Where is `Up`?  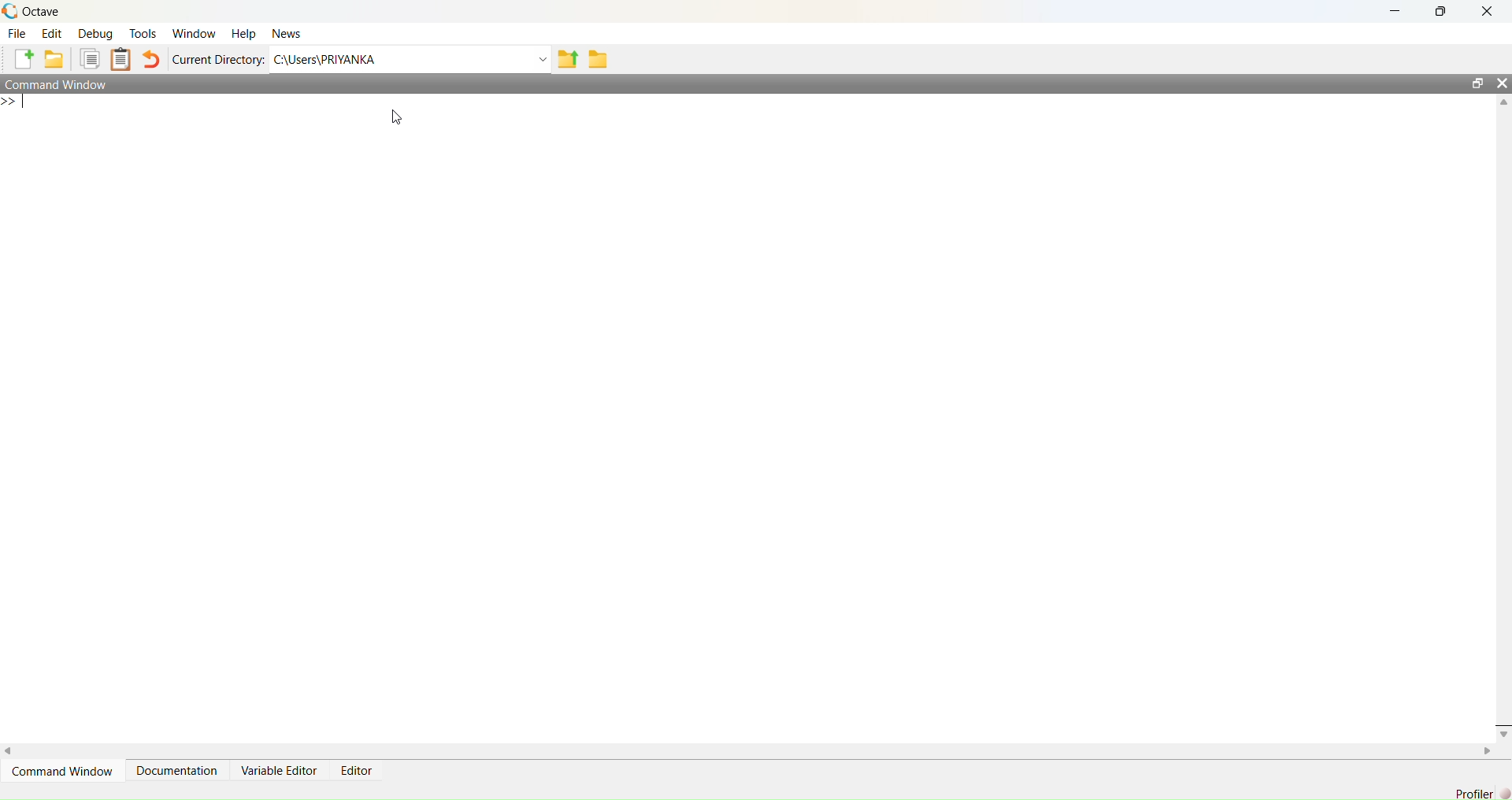
Up is located at coordinates (1503, 107).